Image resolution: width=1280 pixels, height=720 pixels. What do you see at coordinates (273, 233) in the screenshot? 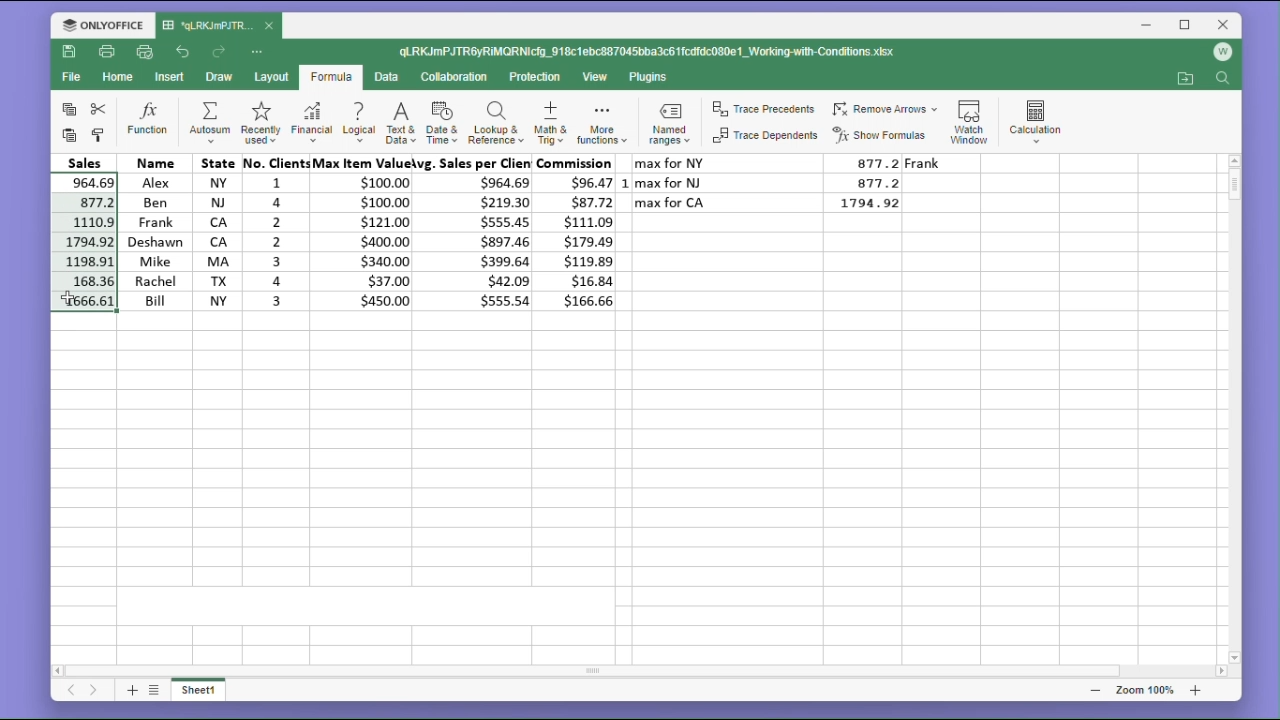
I see `no. of clients` at bounding box center [273, 233].